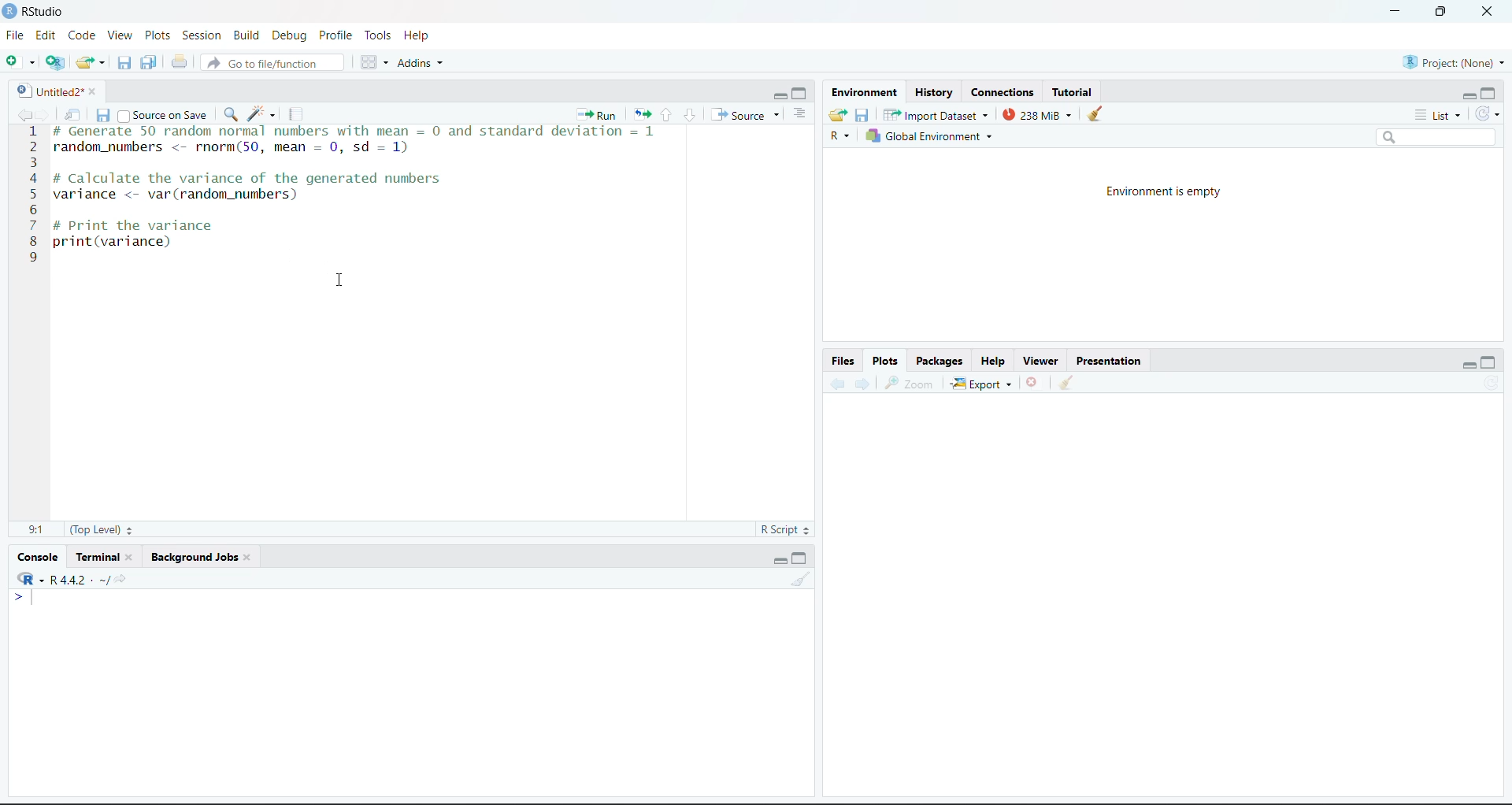 This screenshot has height=805, width=1512. I want to click on maximize, so click(801, 558).